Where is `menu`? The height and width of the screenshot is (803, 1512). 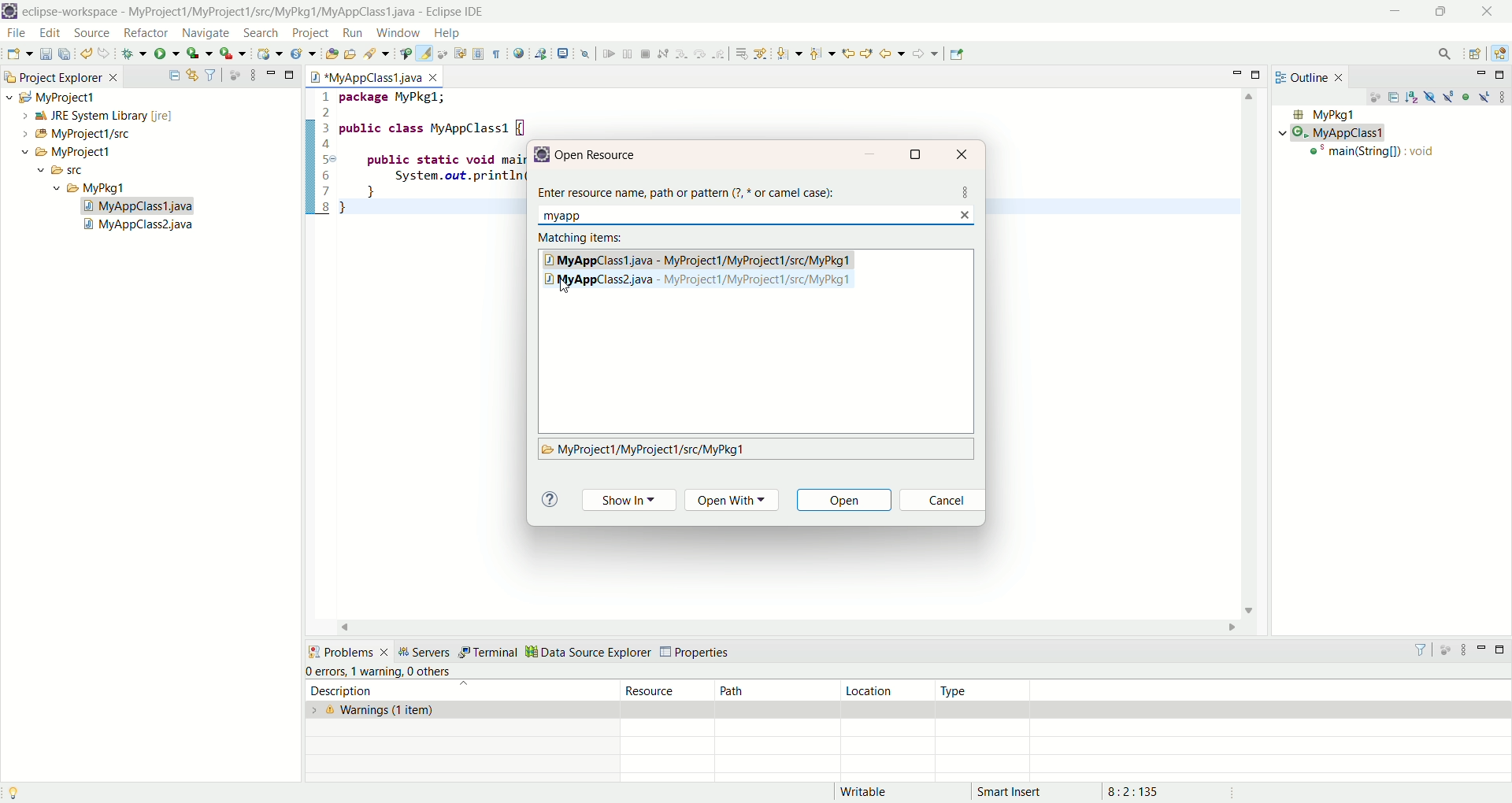 menu is located at coordinates (965, 191).